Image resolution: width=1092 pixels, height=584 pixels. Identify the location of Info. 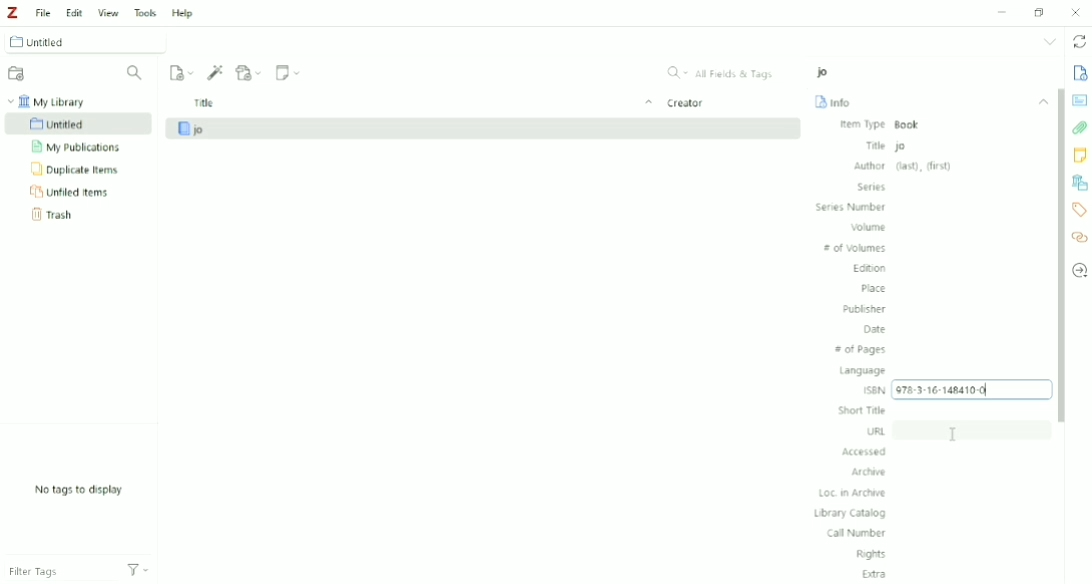
(833, 102).